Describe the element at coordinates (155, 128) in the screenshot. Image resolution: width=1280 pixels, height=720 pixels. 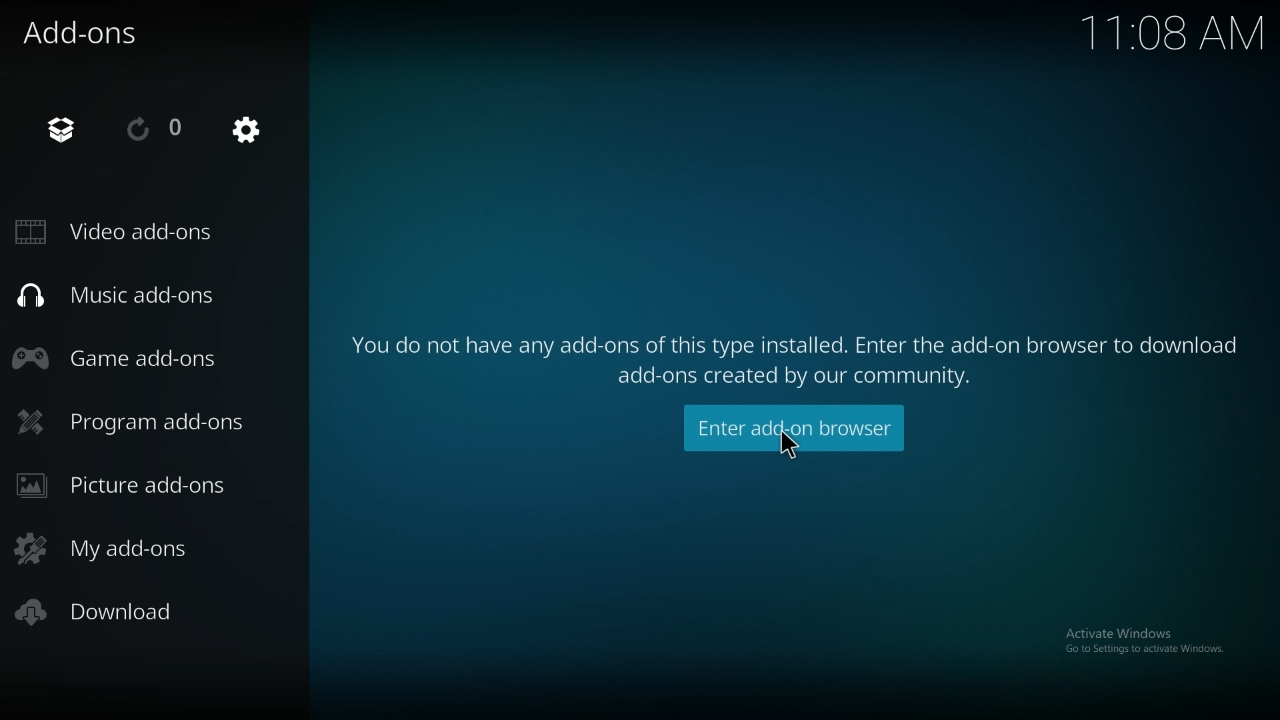
I see `redo` at that location.